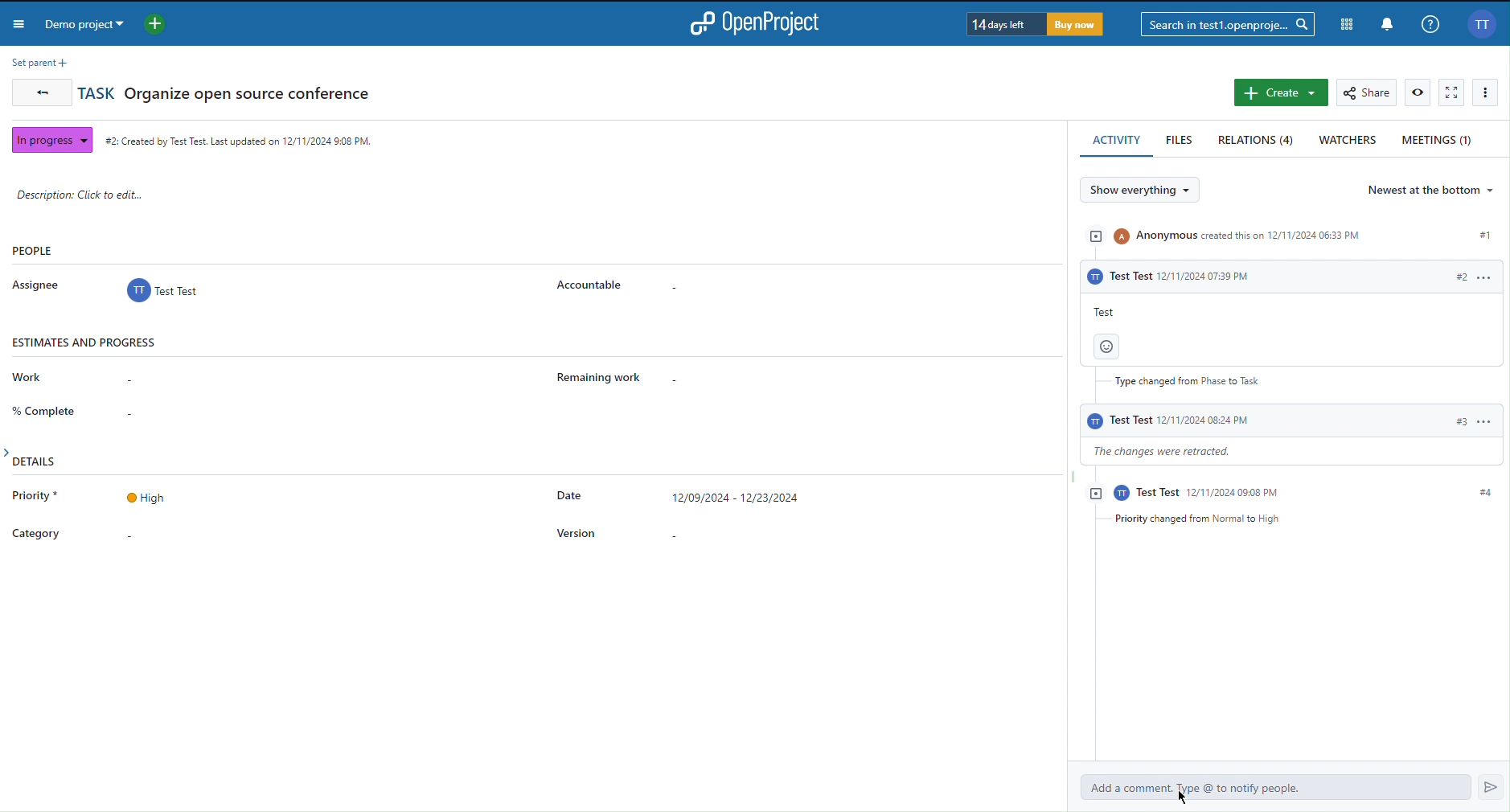 The height and width of the screenshot is (812, 1510). I want to click on Watchers, so click(1348, 141).